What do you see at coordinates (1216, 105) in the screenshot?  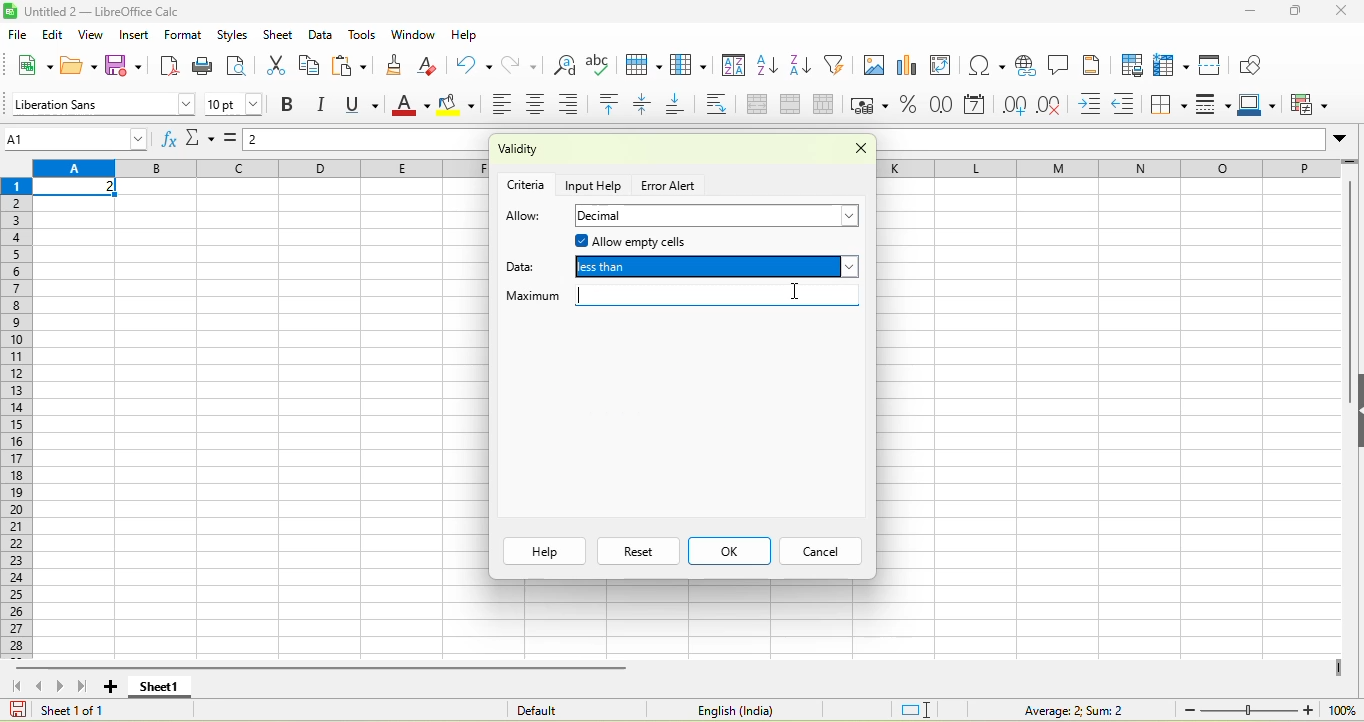 I see `border style` at bounding box center [1216, 105].